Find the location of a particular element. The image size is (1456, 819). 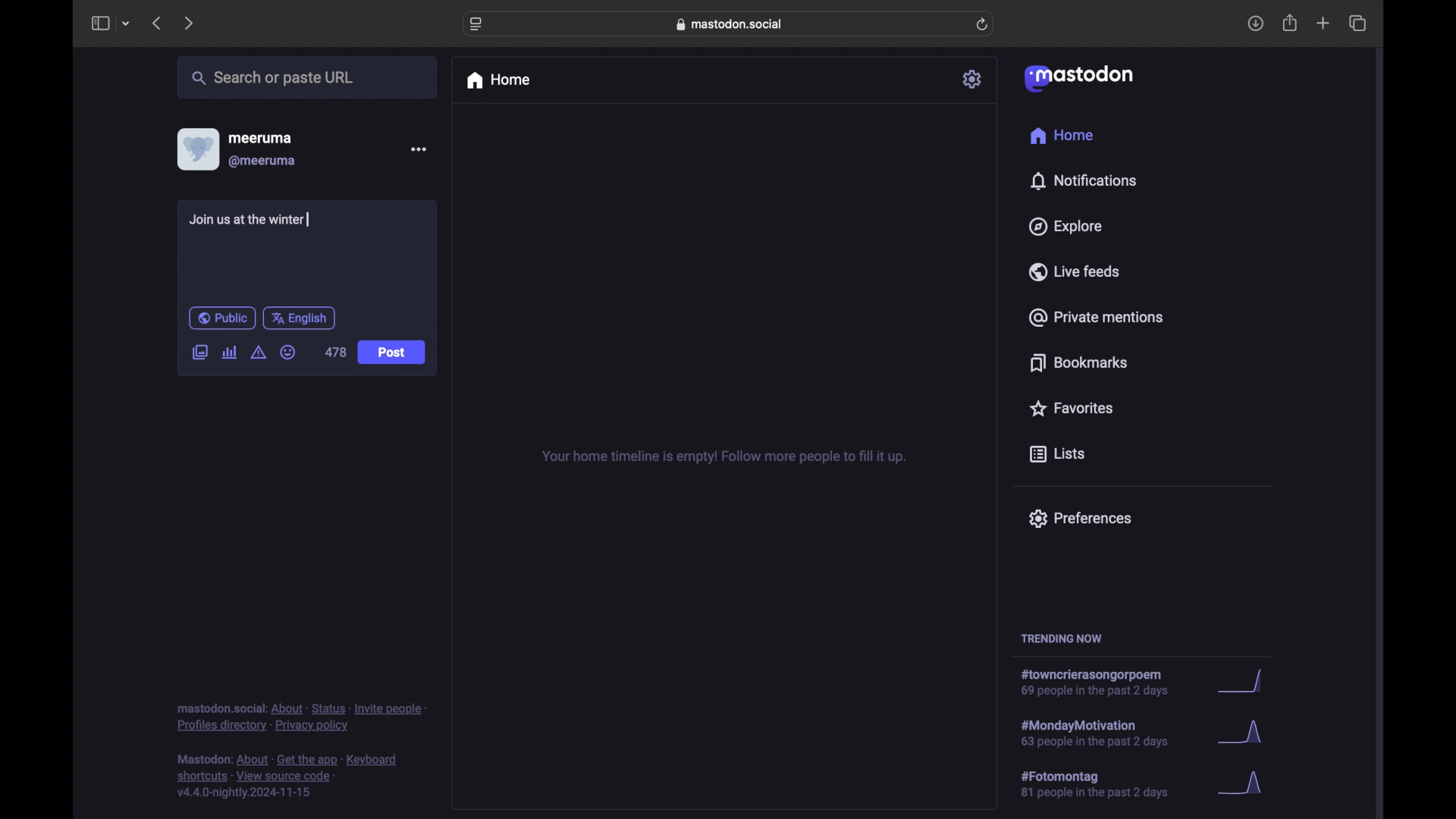

graph is located at coordinates (1244, 736).